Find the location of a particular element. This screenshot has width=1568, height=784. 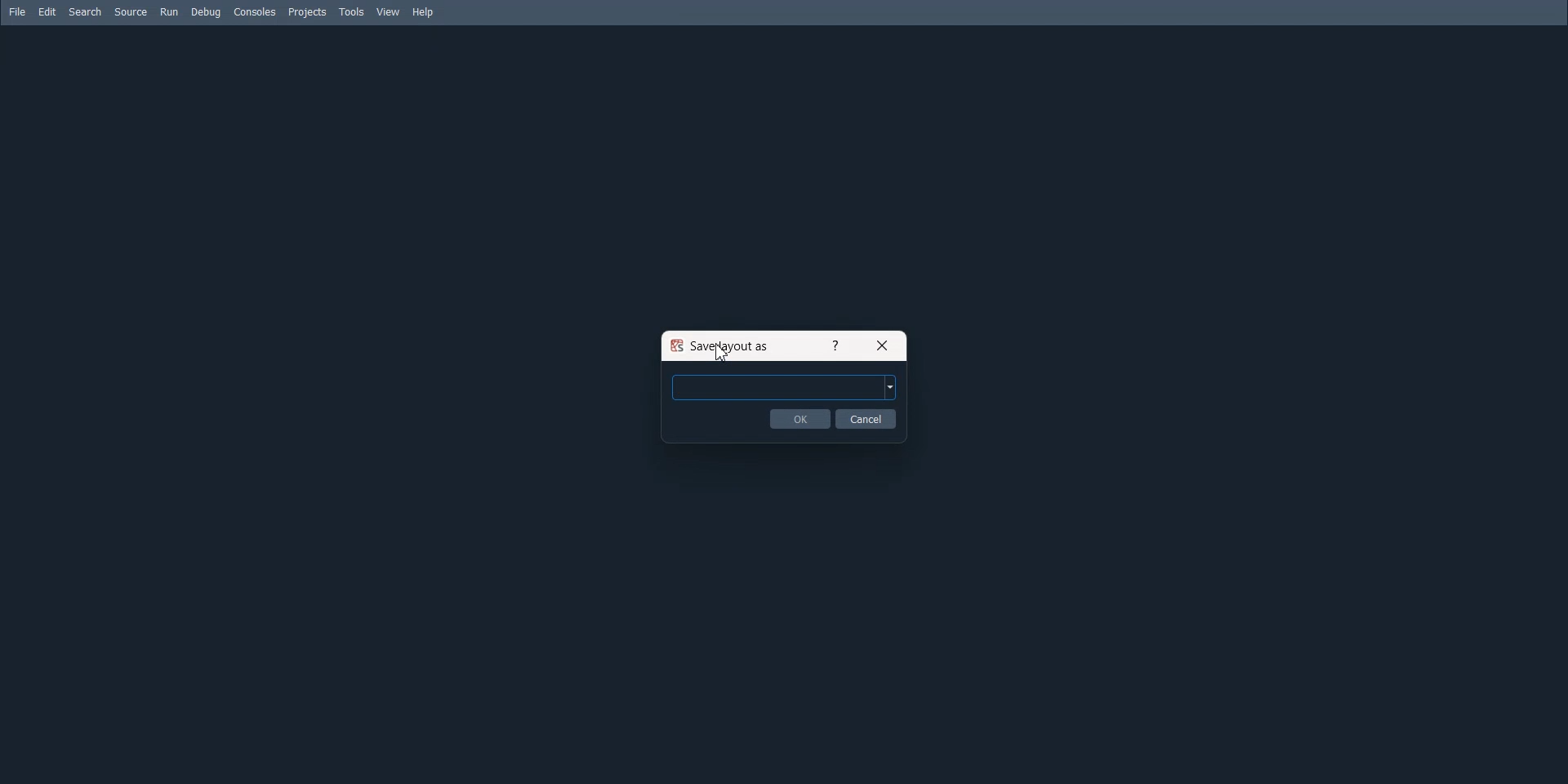

Help is located at coordinates (834, 345).